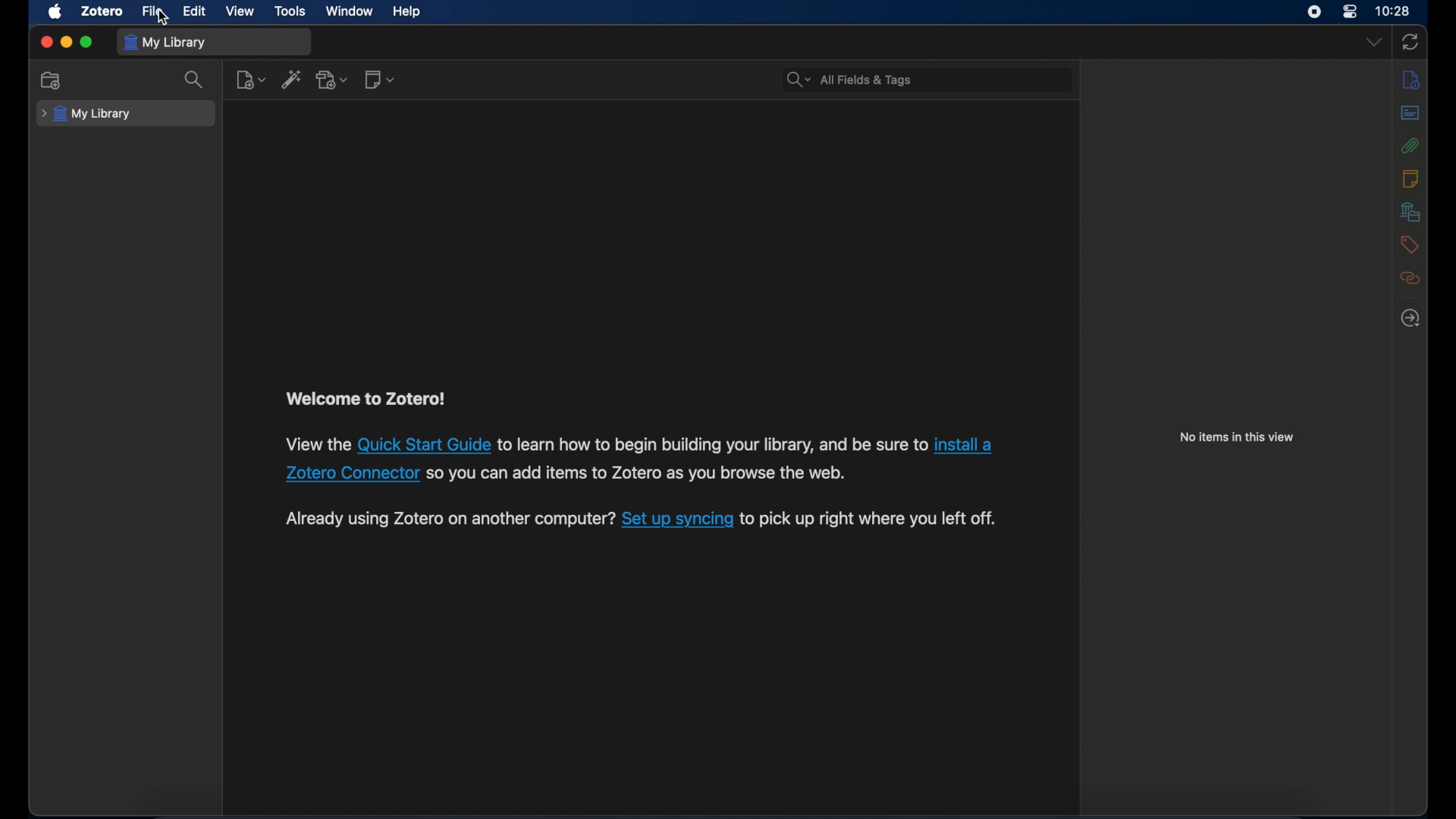 This screenshot has height=819, width=1456. Describe the element at coordinates (1238, 437) in the screenshot. I see `no items in this view` at that location.